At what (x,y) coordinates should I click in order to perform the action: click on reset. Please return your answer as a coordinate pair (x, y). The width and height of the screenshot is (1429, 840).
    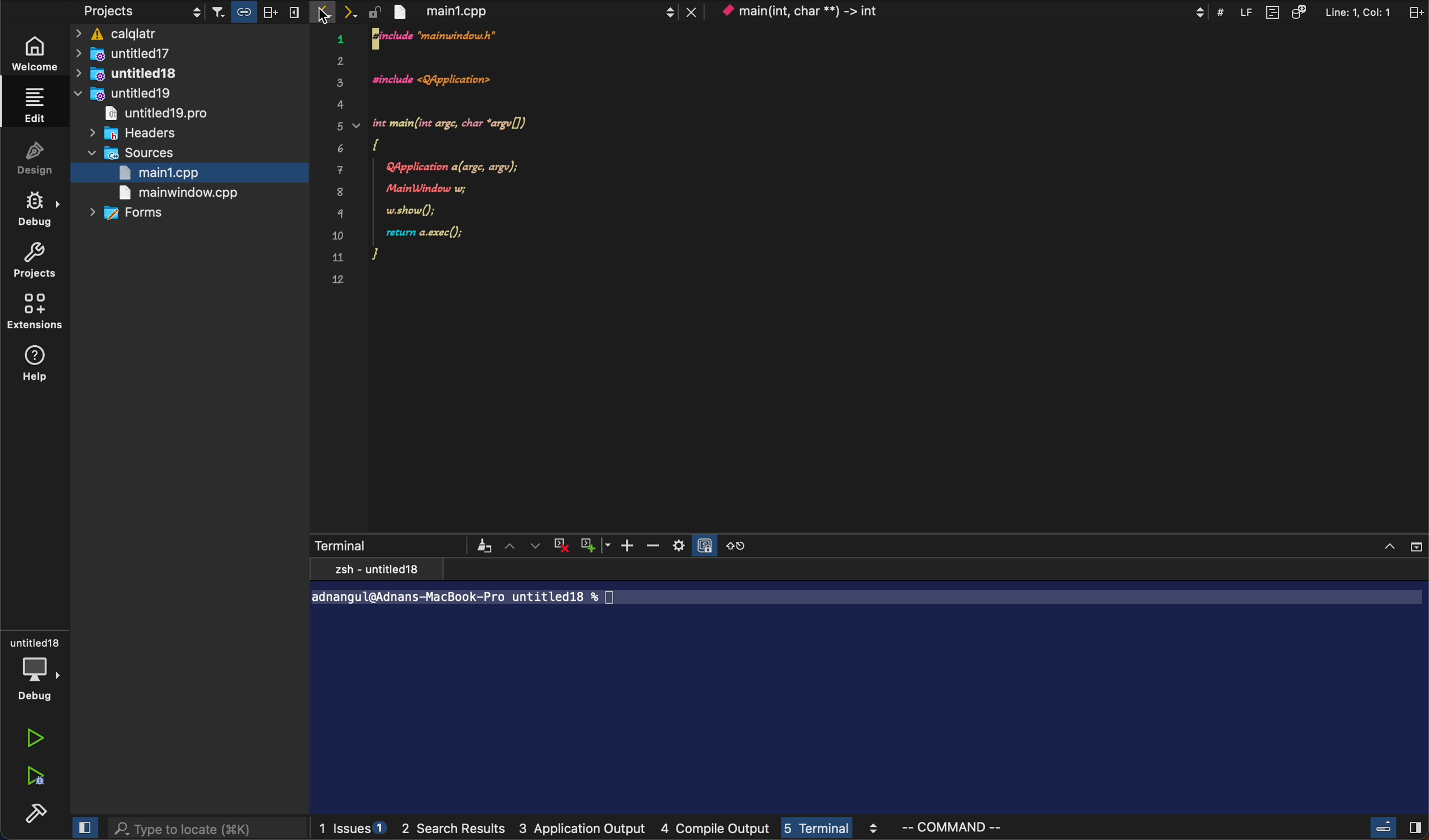
    Looking at the image, I should click on (742, 545).